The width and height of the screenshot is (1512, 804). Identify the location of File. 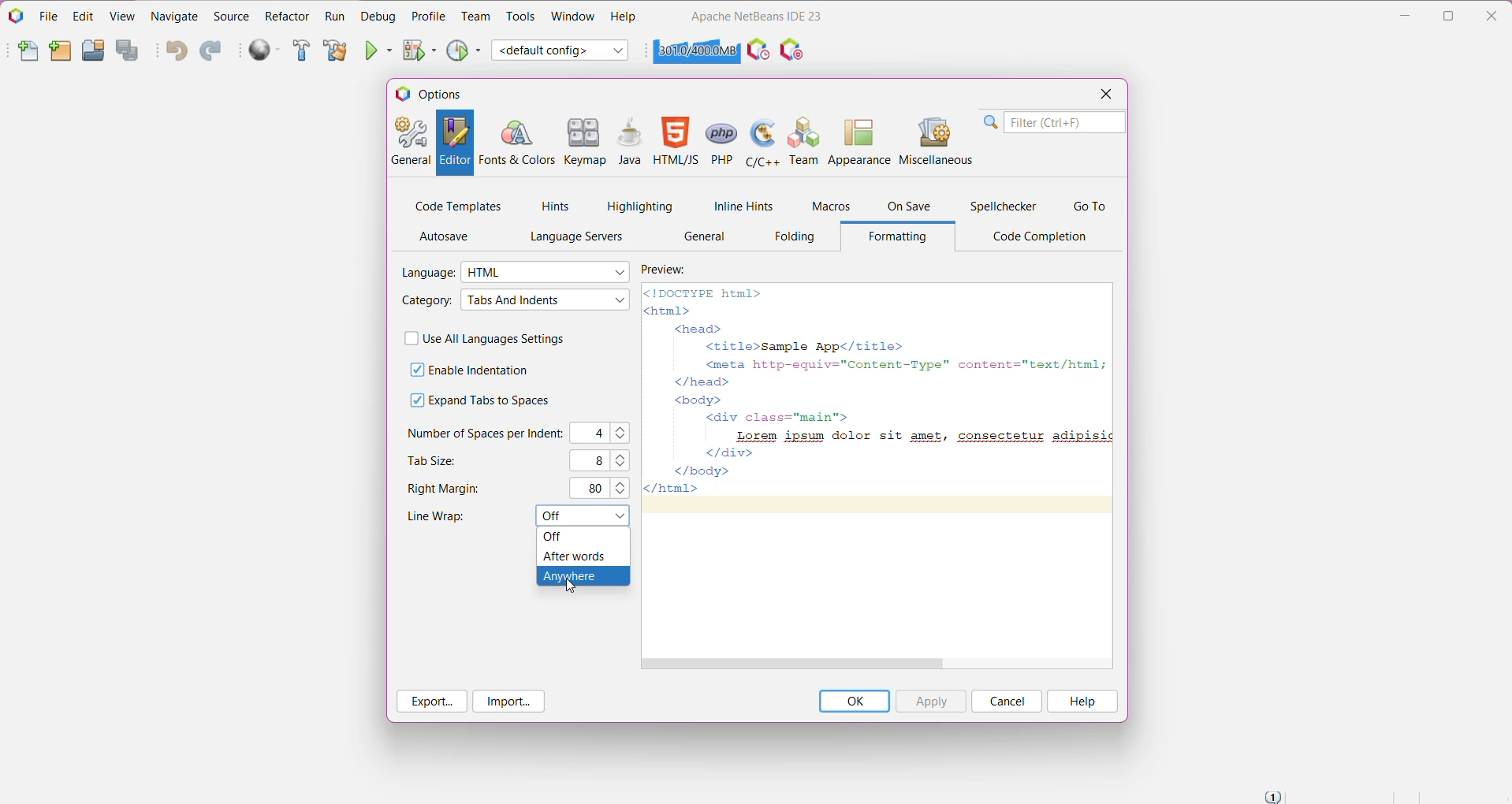
(49, 17).